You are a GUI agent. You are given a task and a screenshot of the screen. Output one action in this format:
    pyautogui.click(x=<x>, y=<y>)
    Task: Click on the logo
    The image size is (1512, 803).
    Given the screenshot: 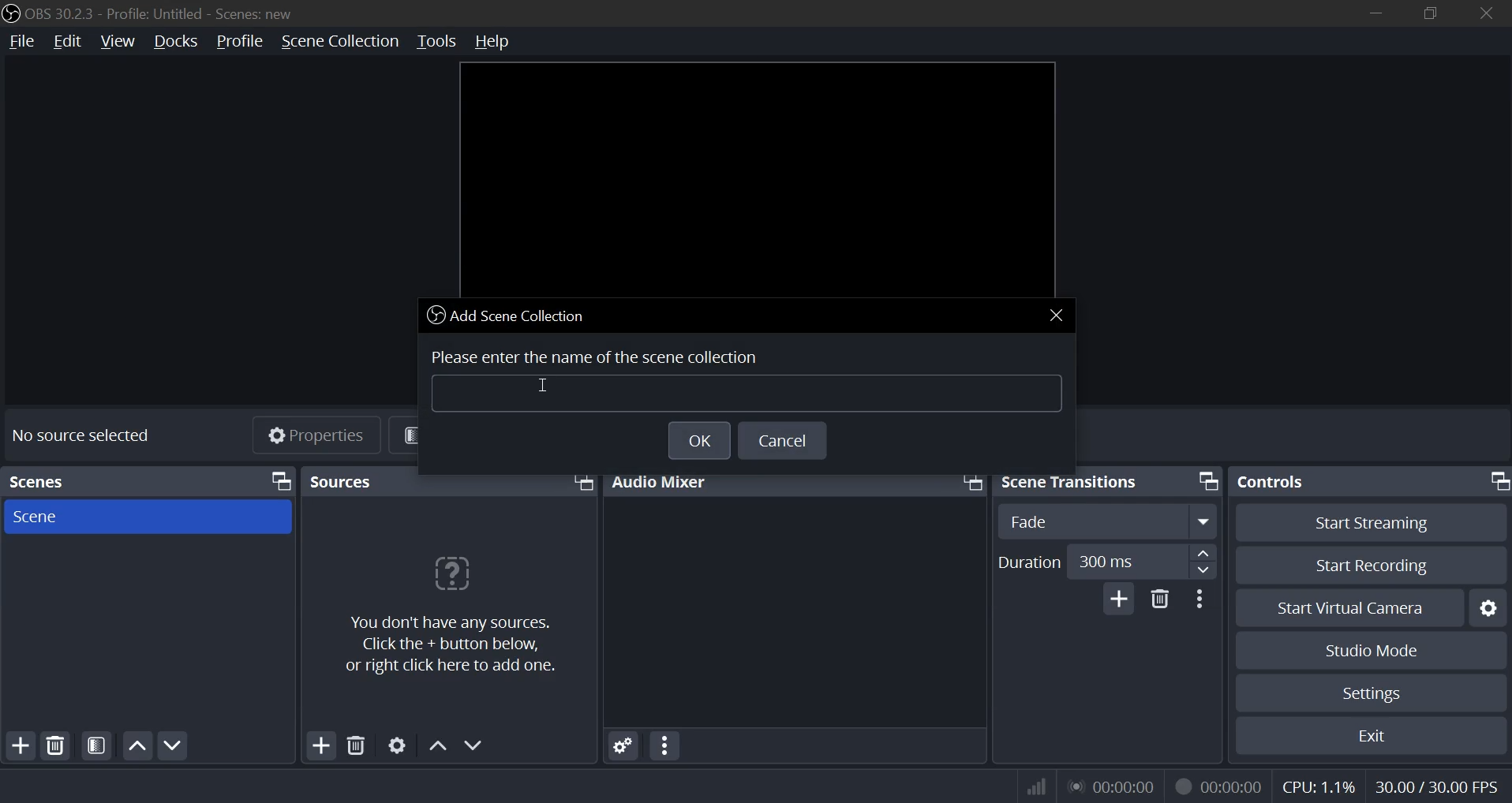 What is the action you would take?
    pyautogui.click(x=10, y=12)
    